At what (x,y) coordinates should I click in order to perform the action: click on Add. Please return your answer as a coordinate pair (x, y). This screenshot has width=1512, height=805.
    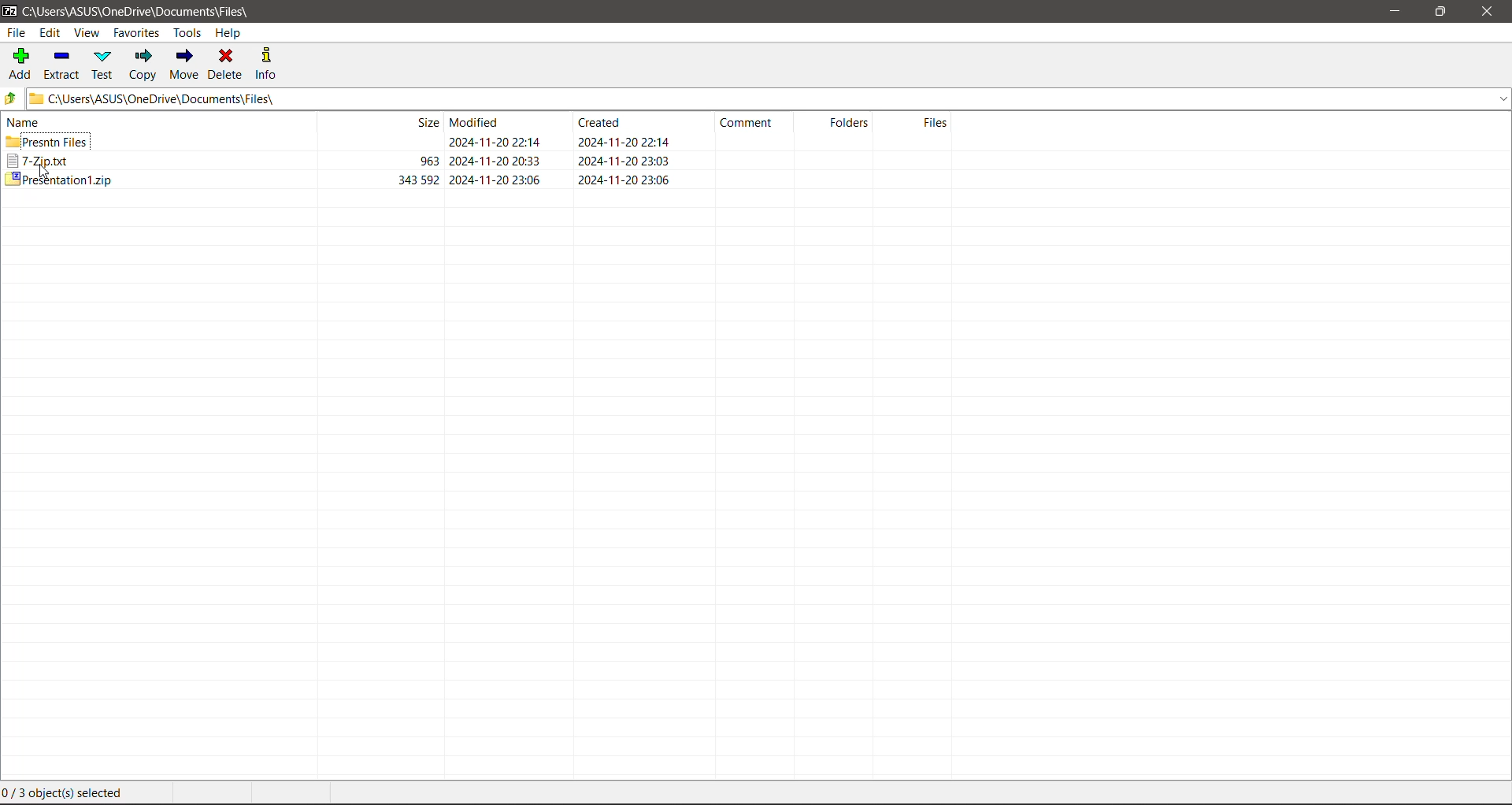
    Looking at the image, I should click on (18, 65).